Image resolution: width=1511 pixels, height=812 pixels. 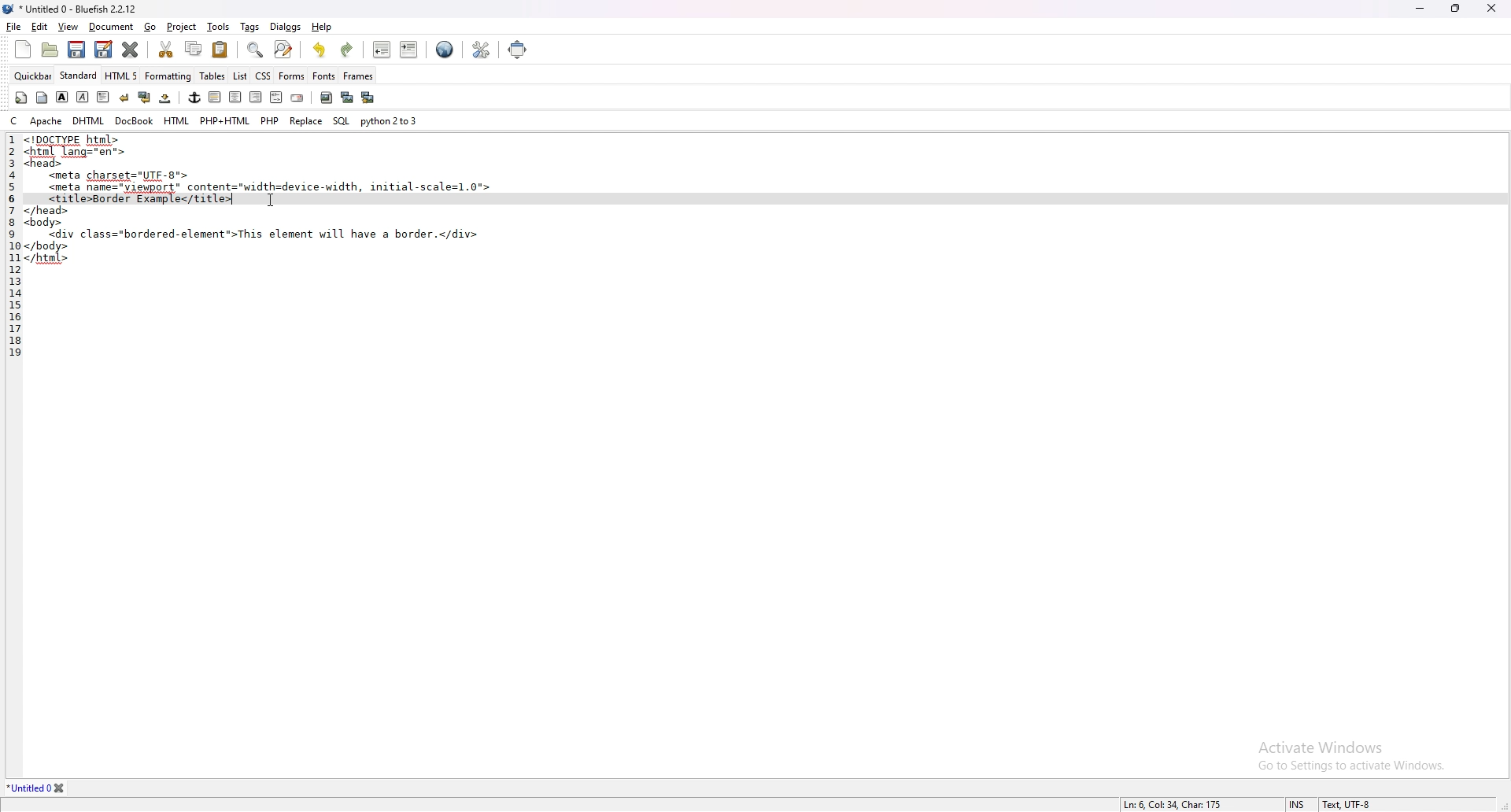 I want to click on paragraph, so click(x=104, y=97).